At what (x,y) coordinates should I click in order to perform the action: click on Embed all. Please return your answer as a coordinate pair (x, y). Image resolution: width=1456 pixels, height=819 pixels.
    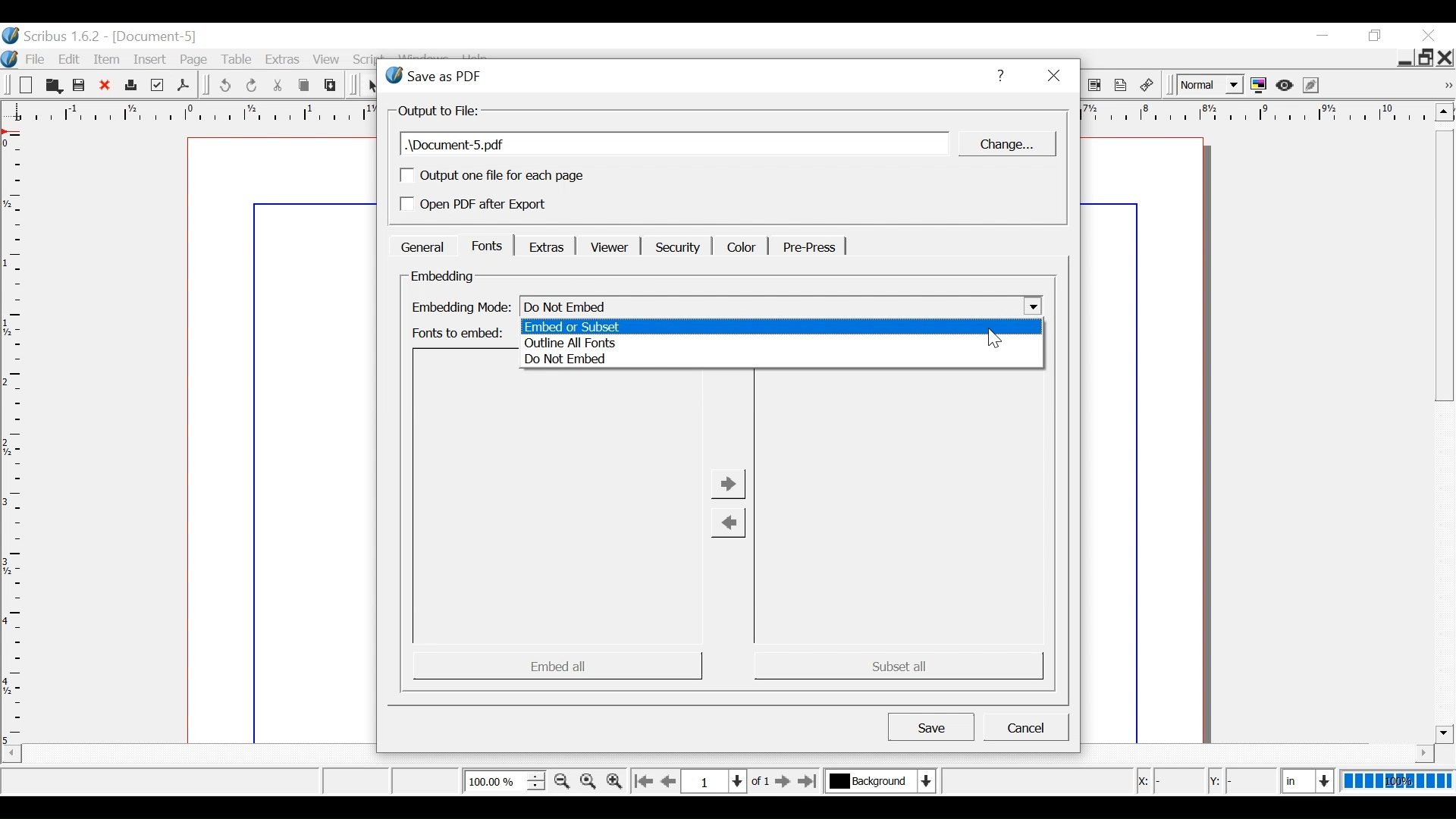
    Looking at the image, I should click on (558, 665).